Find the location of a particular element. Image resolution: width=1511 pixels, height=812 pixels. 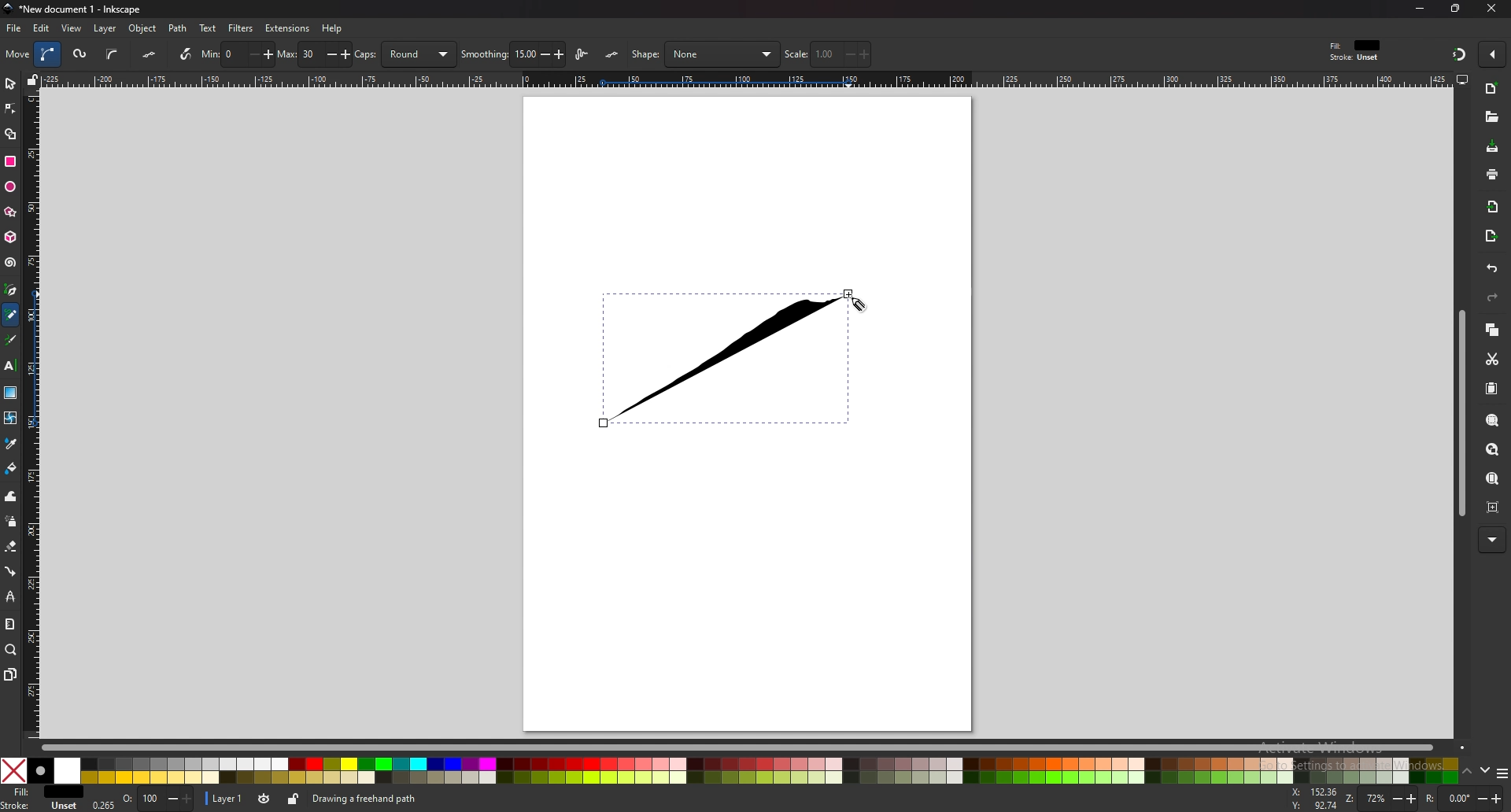

view is located at coordinates (73, 28).